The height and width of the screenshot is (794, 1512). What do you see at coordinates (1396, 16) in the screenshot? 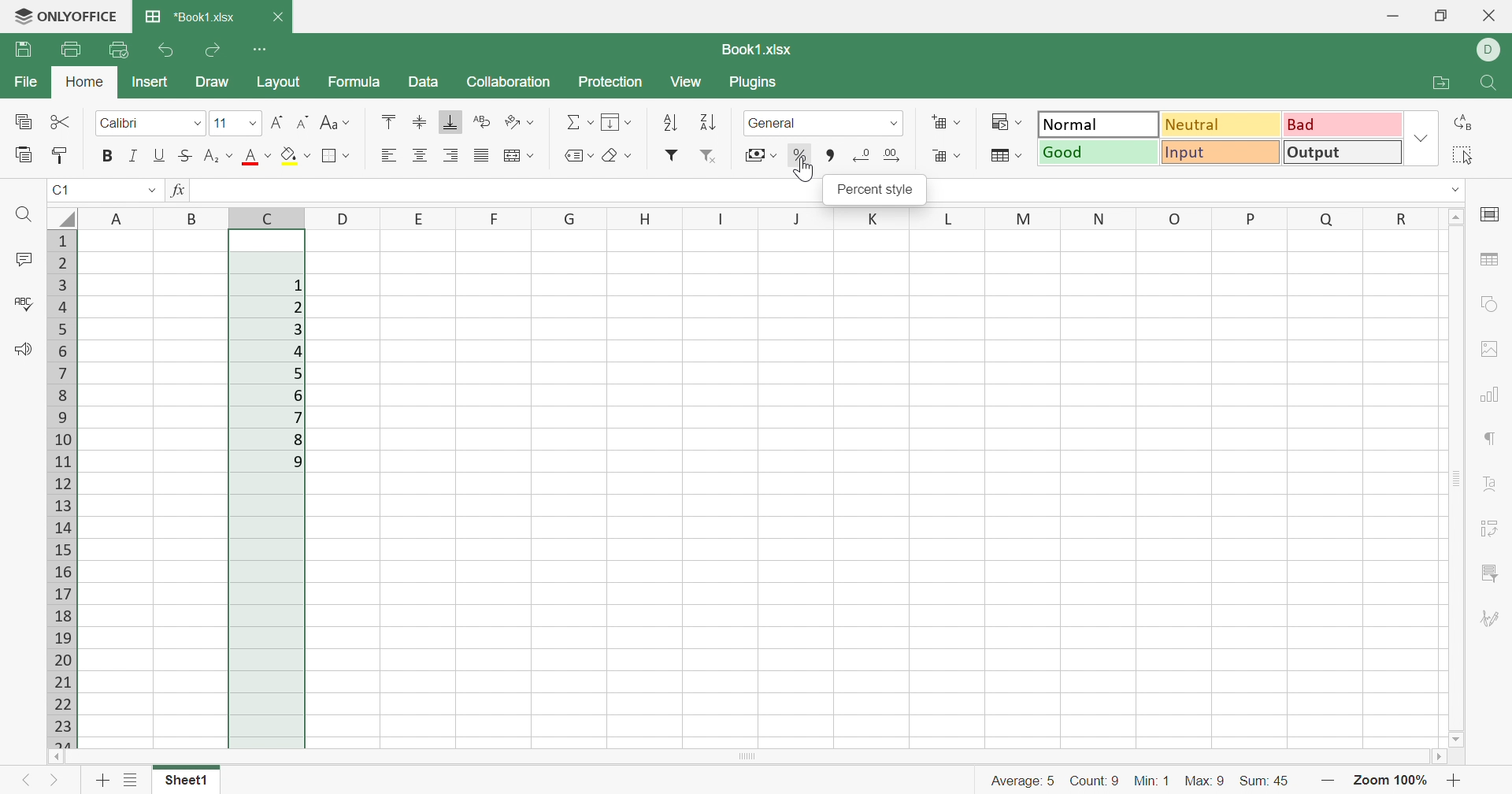
I see `Minimize` at bounding box center [1396, 16].